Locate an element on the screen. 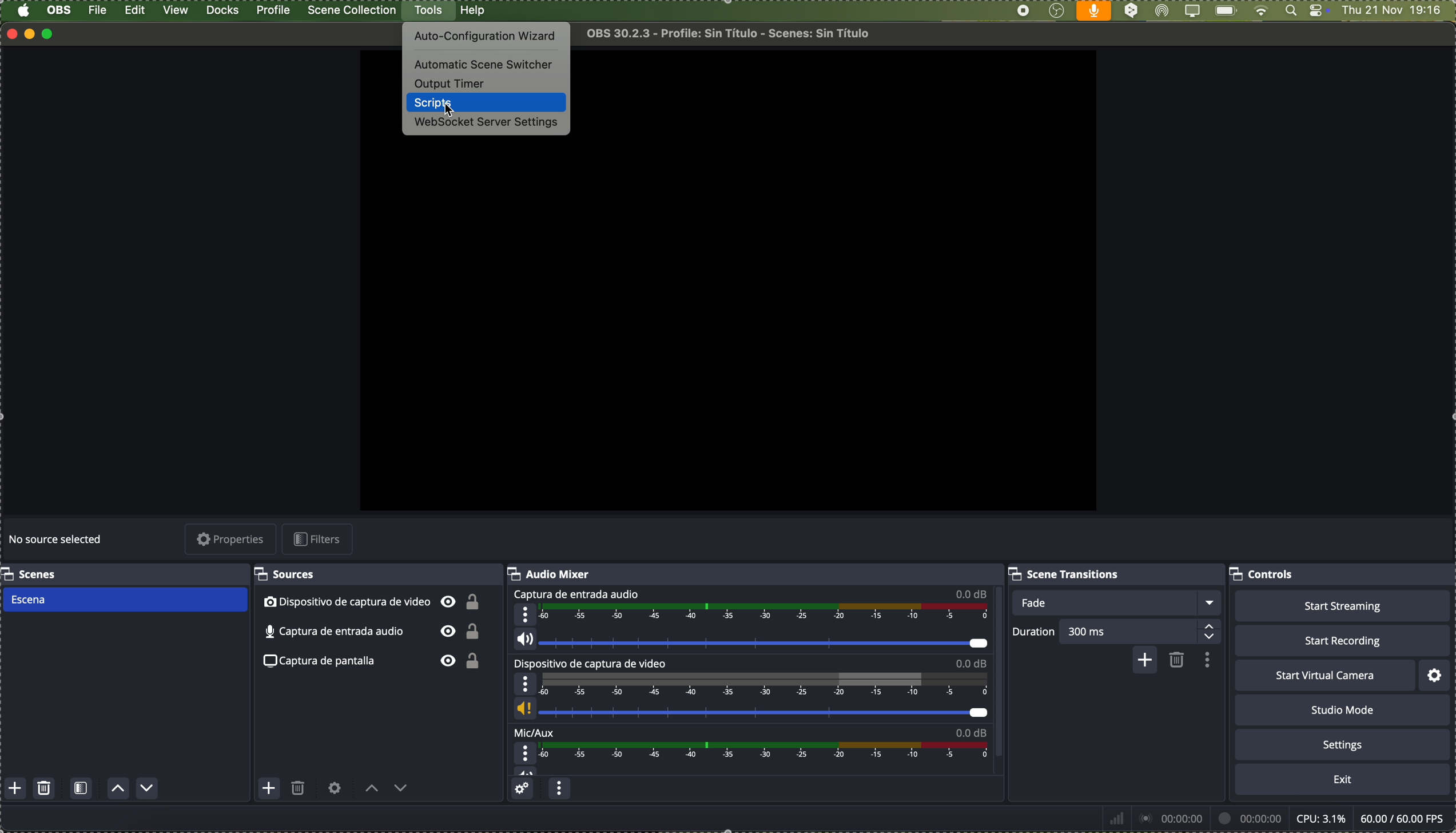 The image size is (1456, 833). AirDrop is located at coordinates (1163, 11).